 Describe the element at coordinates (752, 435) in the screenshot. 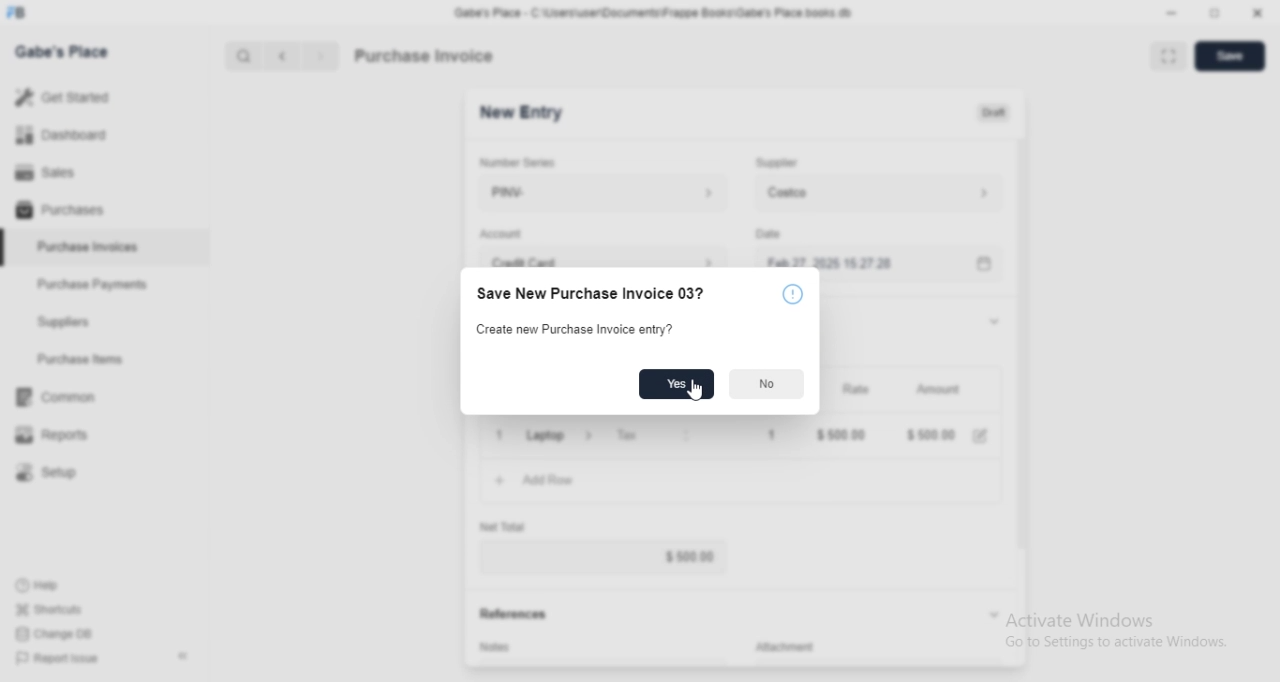

I see `1` at that location.